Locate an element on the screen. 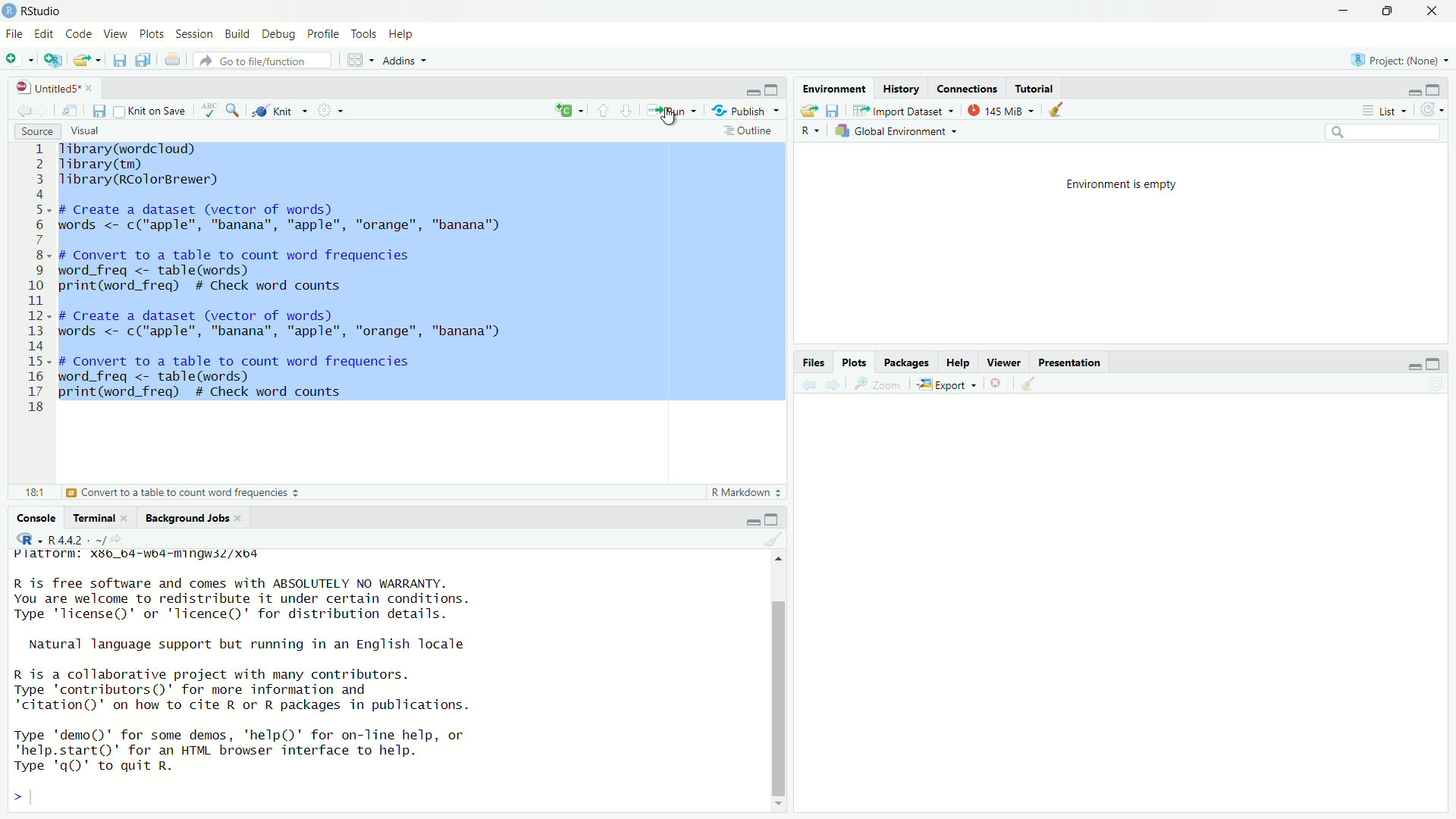  Kint is located at coordinates (279, 108).